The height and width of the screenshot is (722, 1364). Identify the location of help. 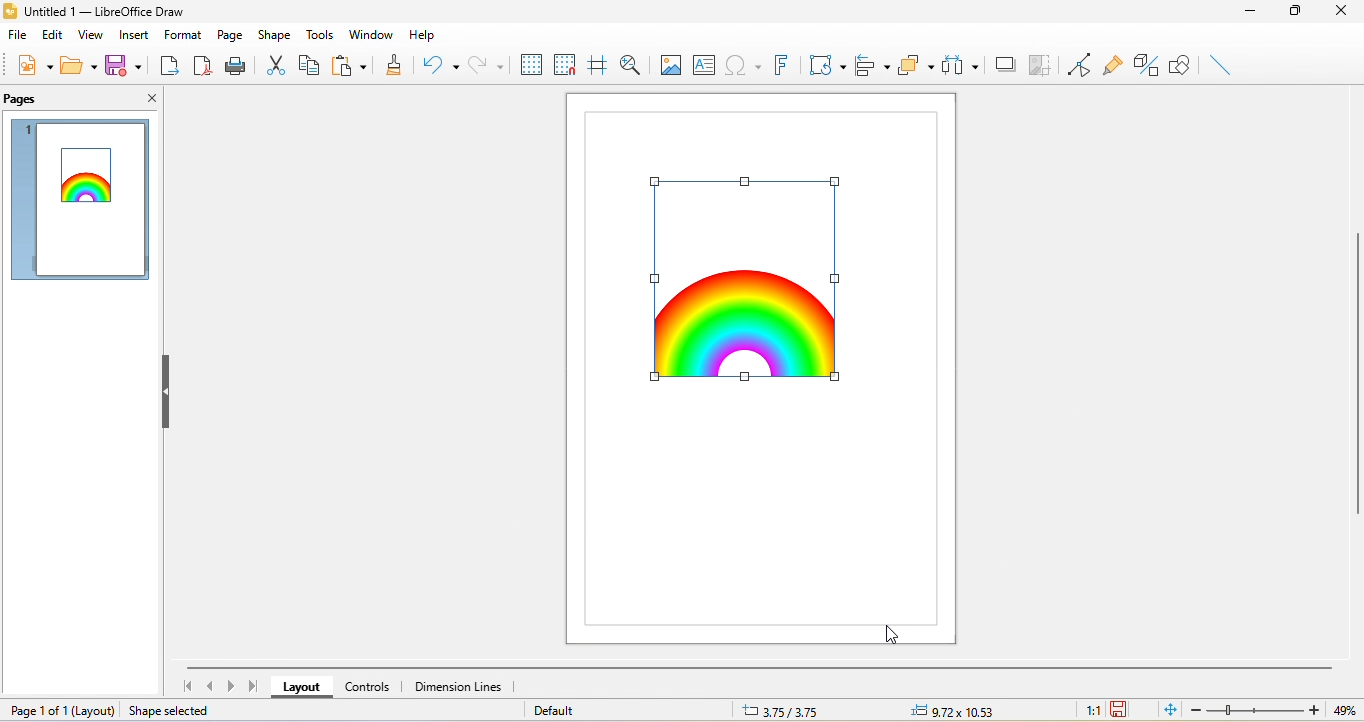
(426, 34).